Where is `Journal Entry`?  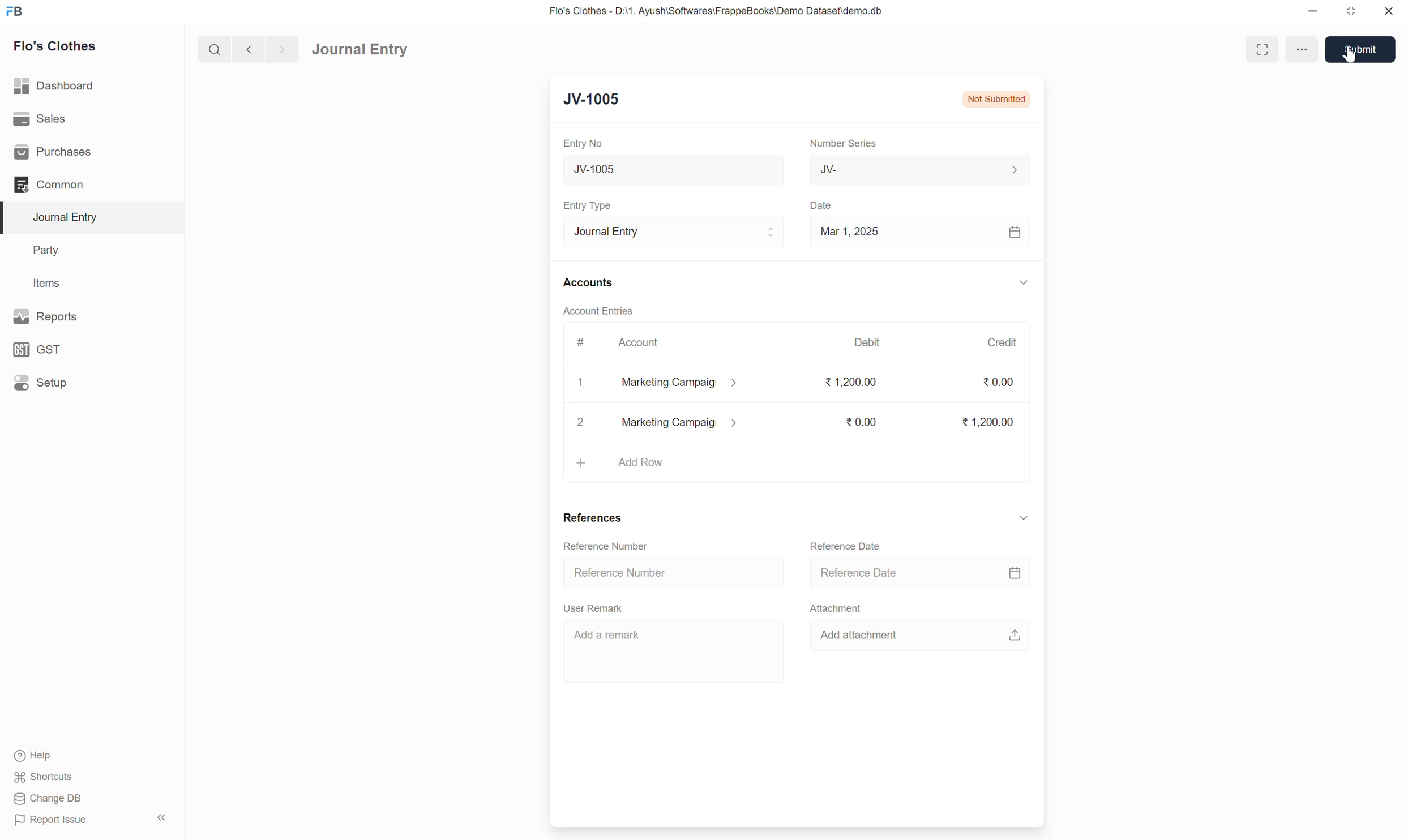
Journal Entry is located at coordinates (674, 231).